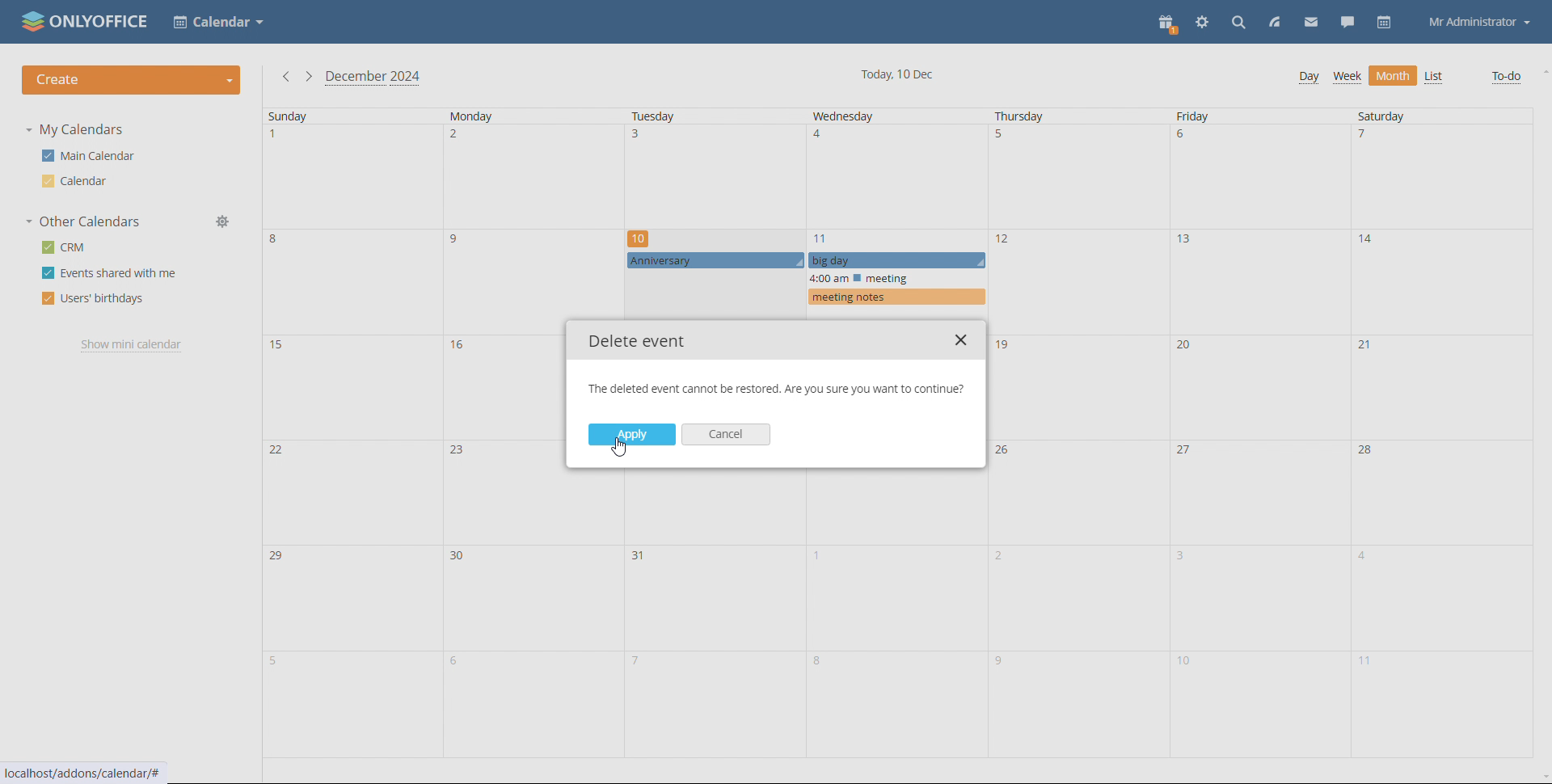 The image size is (1552, 784). Describe the element at coordinates (631, 434) in the screenshot. I see `apply` at that location.